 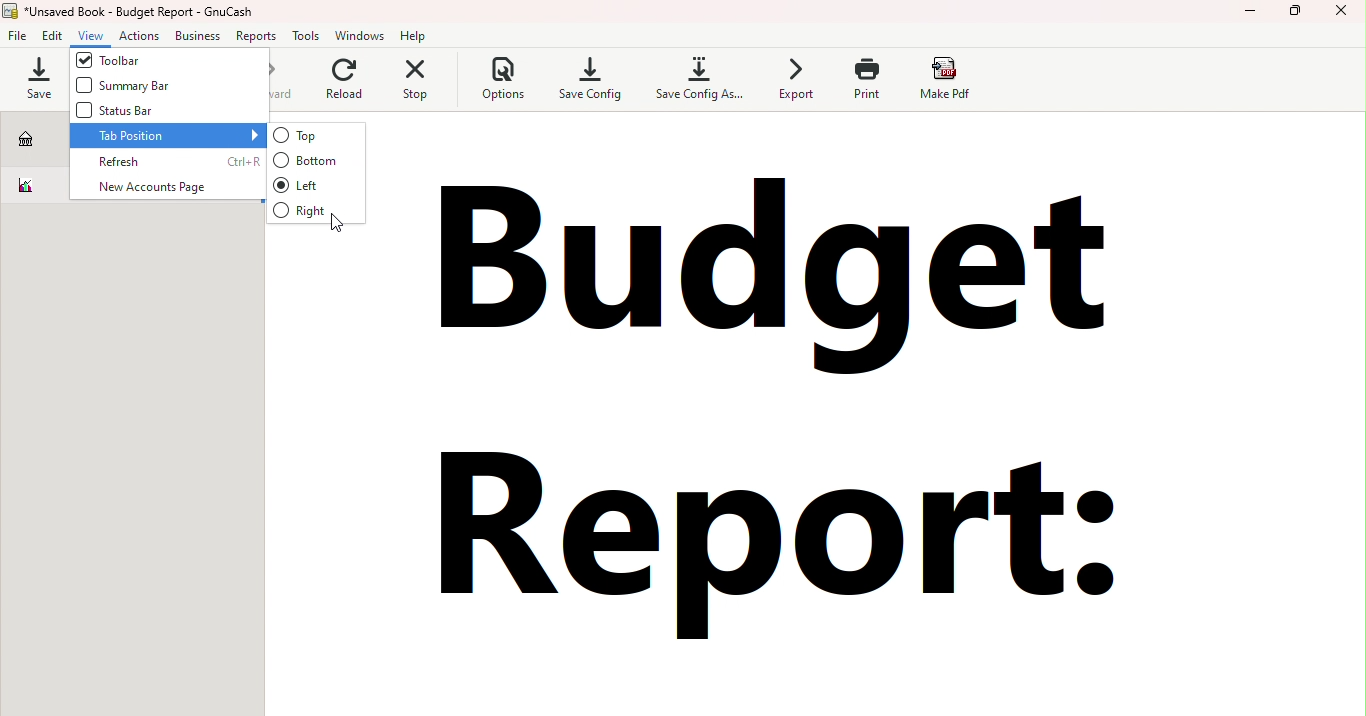 I want to click on Accounts, so click(x=34, y=139).